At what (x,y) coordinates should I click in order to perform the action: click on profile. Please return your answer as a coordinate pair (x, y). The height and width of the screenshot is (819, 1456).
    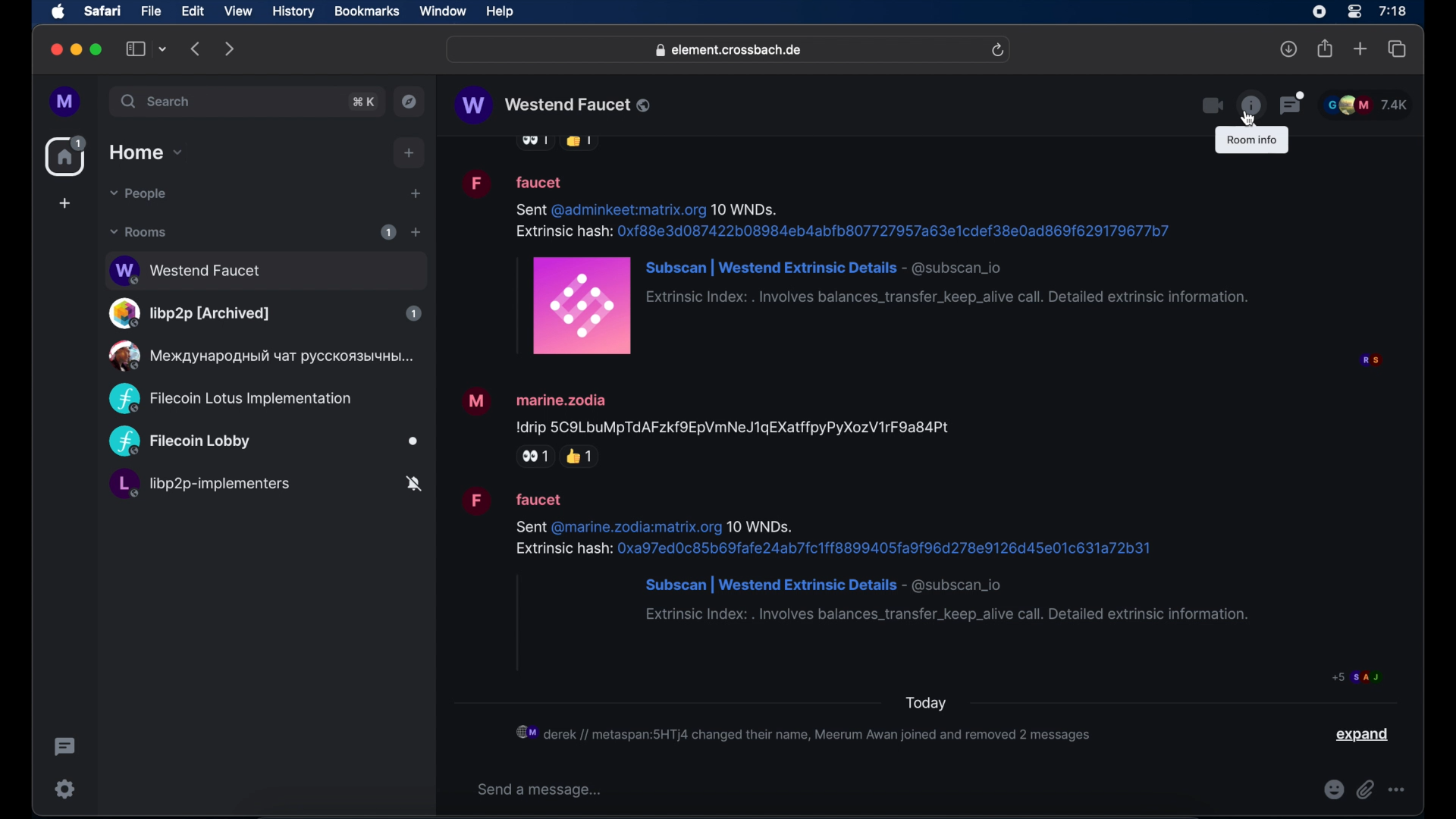
    Looking at the image, I should click on (66, 102).